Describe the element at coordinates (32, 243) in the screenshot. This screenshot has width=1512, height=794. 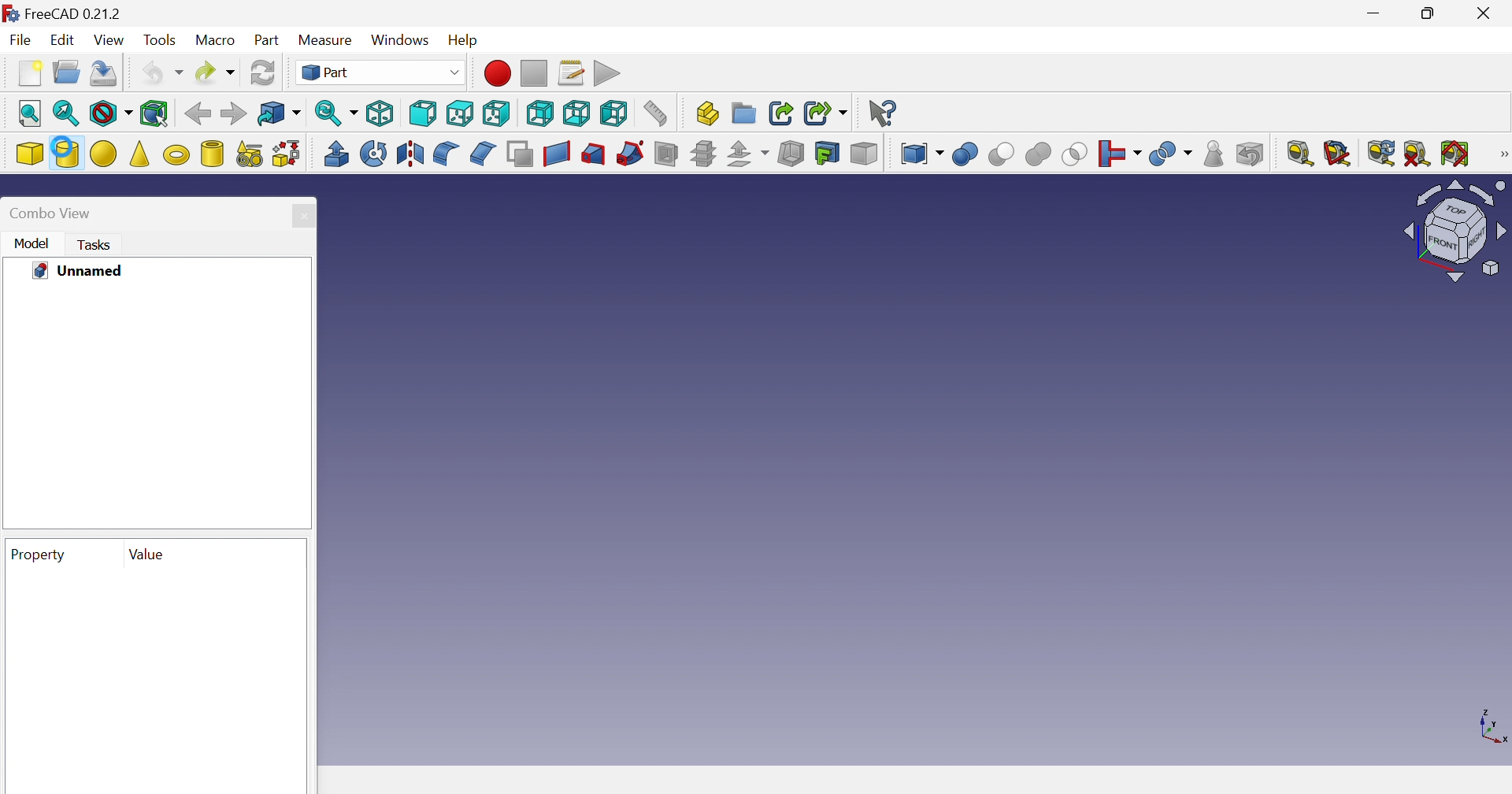
I see `Model` at that location.